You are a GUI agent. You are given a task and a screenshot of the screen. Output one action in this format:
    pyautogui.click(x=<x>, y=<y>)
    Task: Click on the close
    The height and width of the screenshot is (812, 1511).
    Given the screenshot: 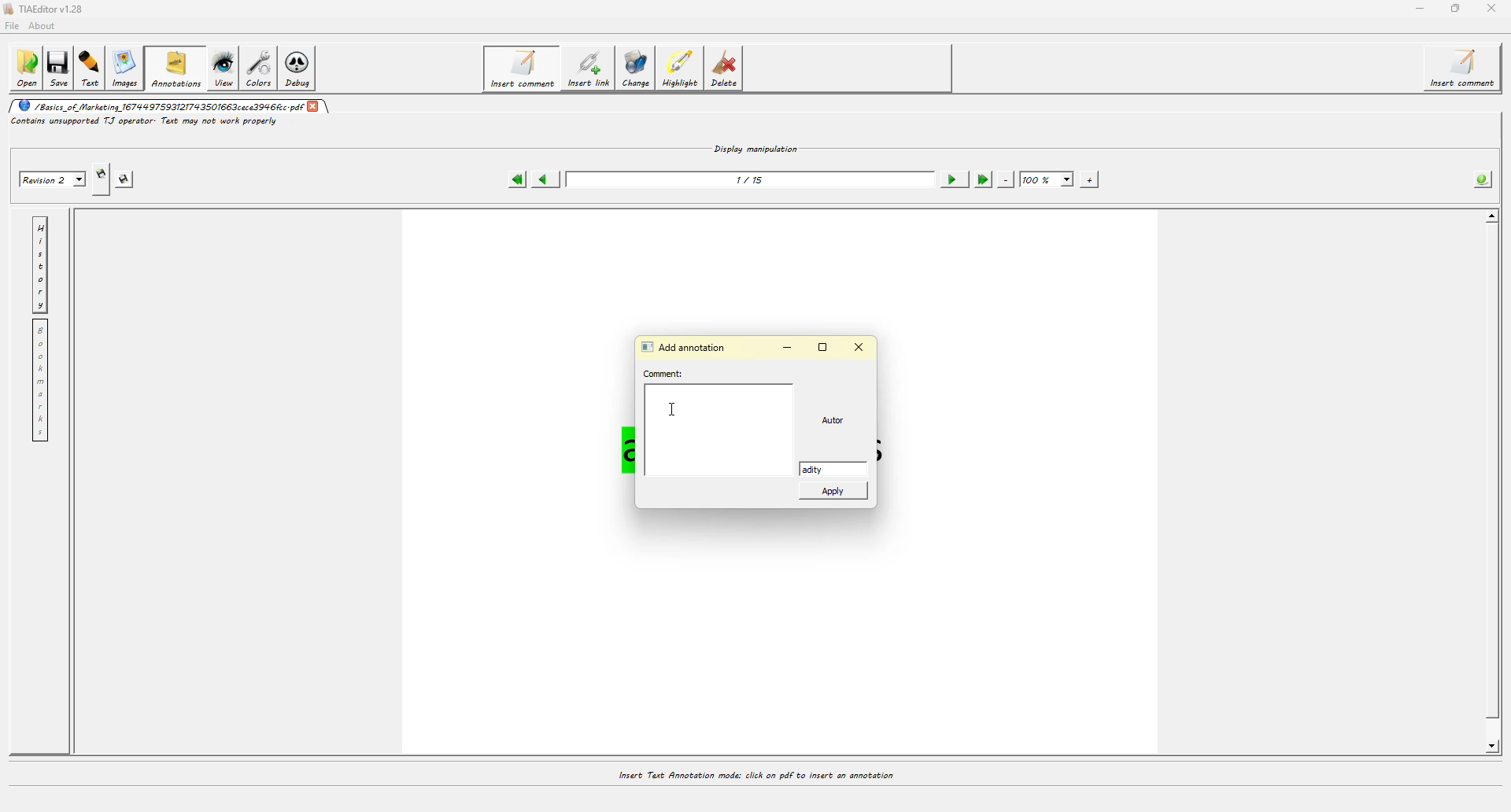 What is the action you would take?
    pyautogui.click(x=313, y=105)
    